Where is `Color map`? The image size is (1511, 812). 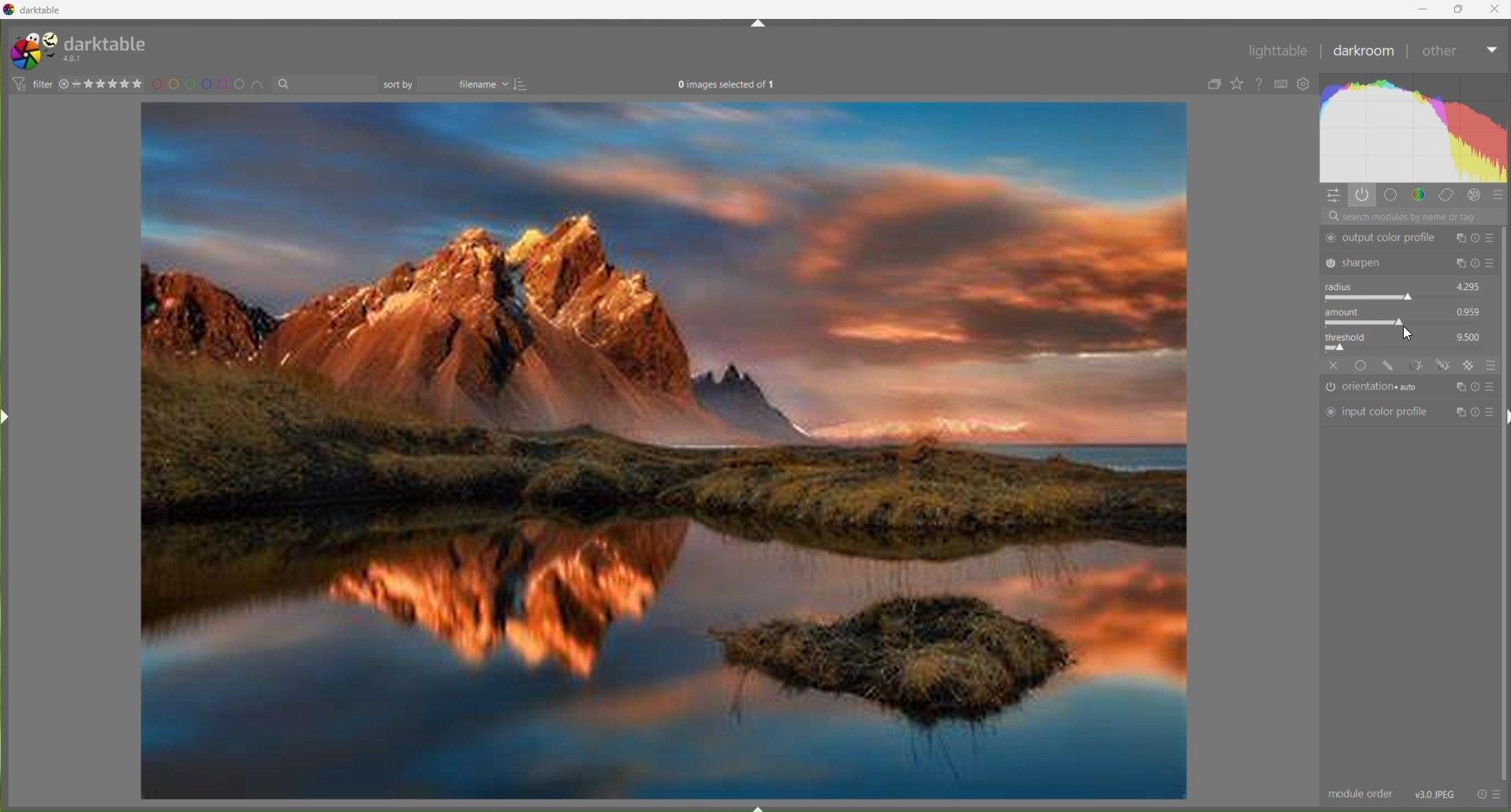
Color map is located at coordinates (1416, 128).